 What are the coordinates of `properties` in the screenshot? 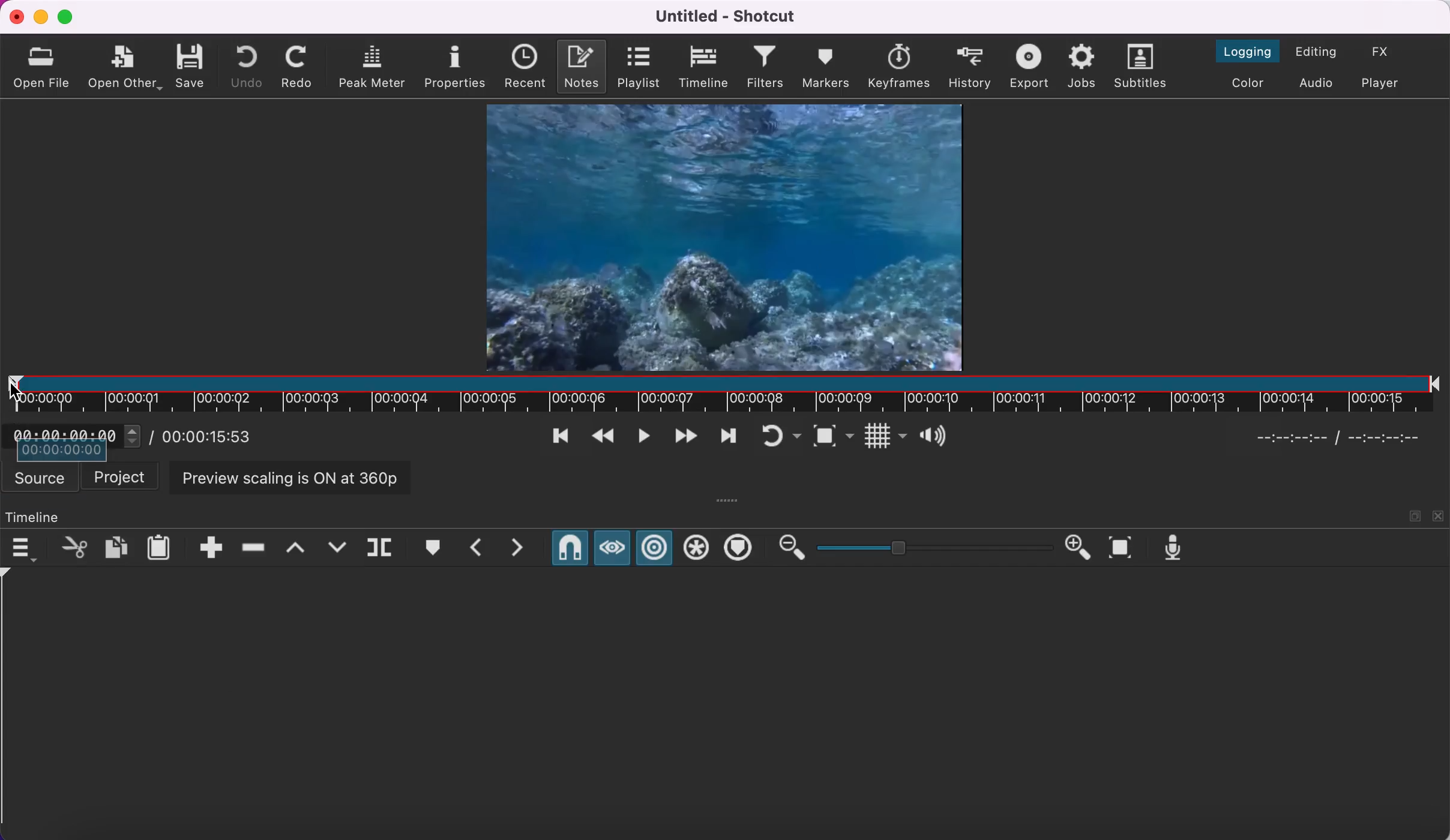 It's located at (456, 65).